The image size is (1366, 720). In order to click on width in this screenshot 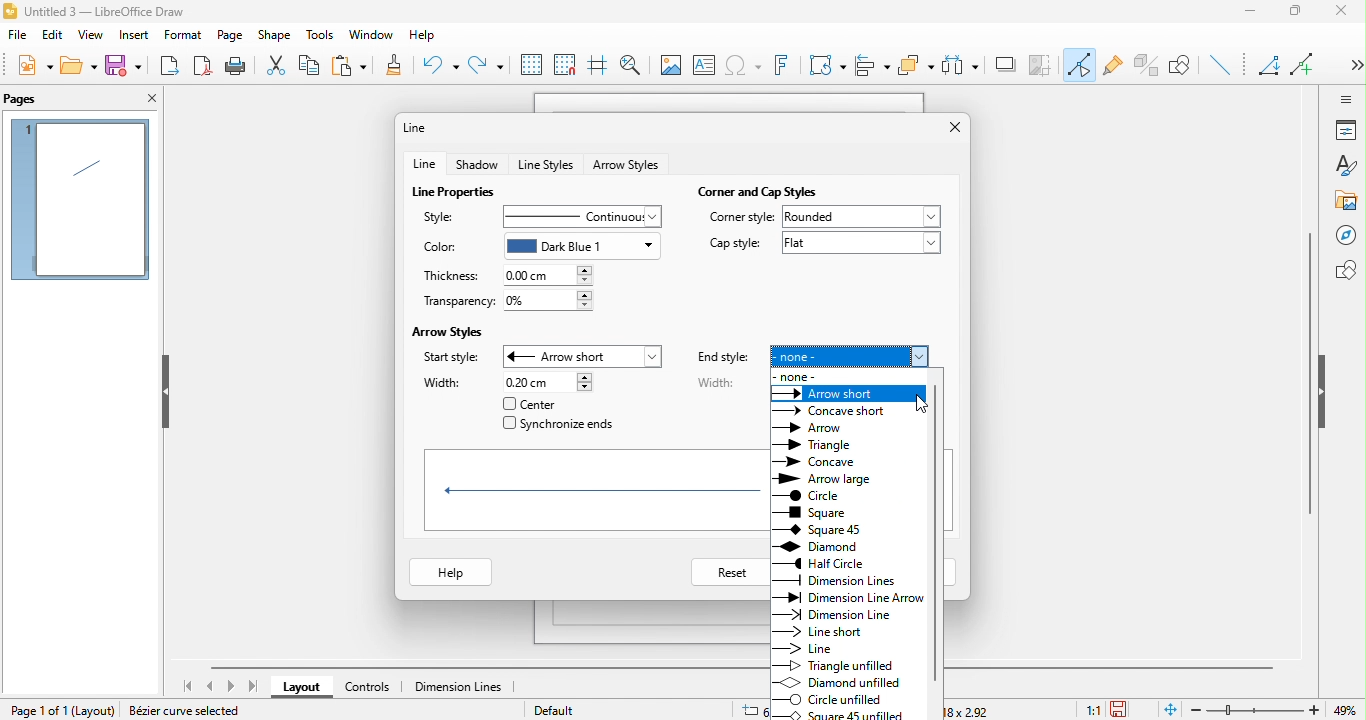, I will do `click(717, 386)`.